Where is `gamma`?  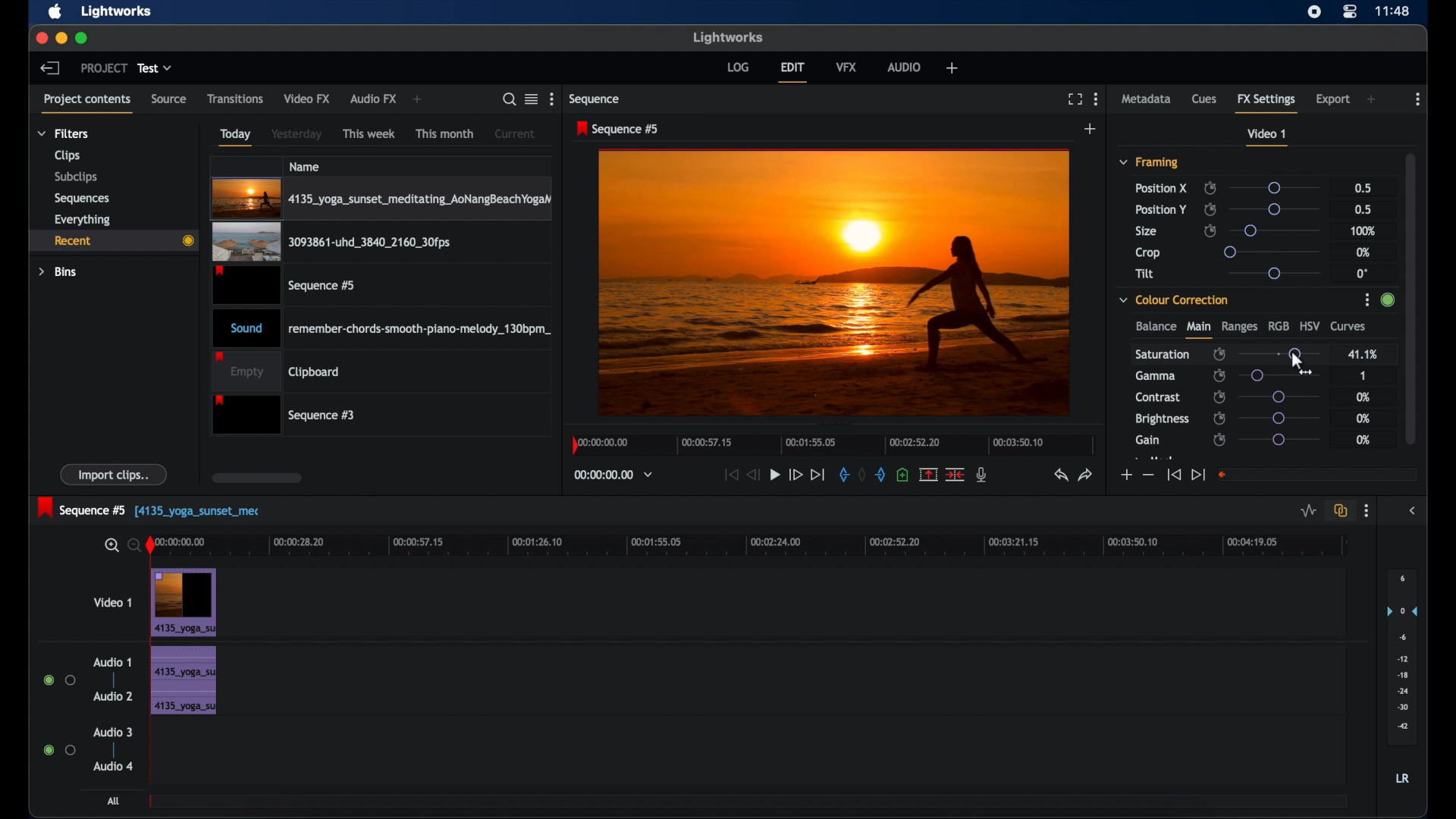
gamma is located at coordinates (1155, 375).